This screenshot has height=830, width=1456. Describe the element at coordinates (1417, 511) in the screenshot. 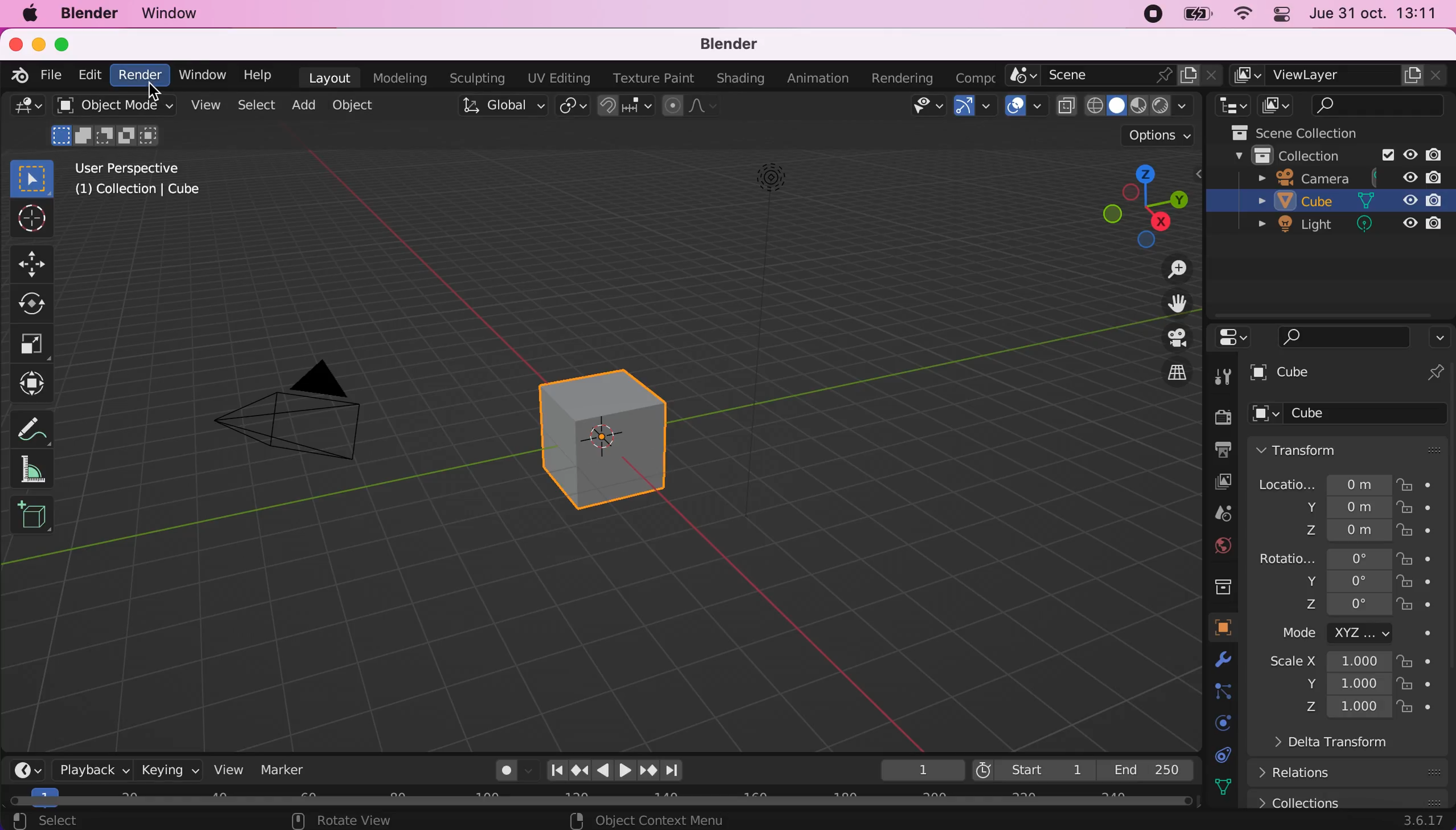

I see `lock` at that location.